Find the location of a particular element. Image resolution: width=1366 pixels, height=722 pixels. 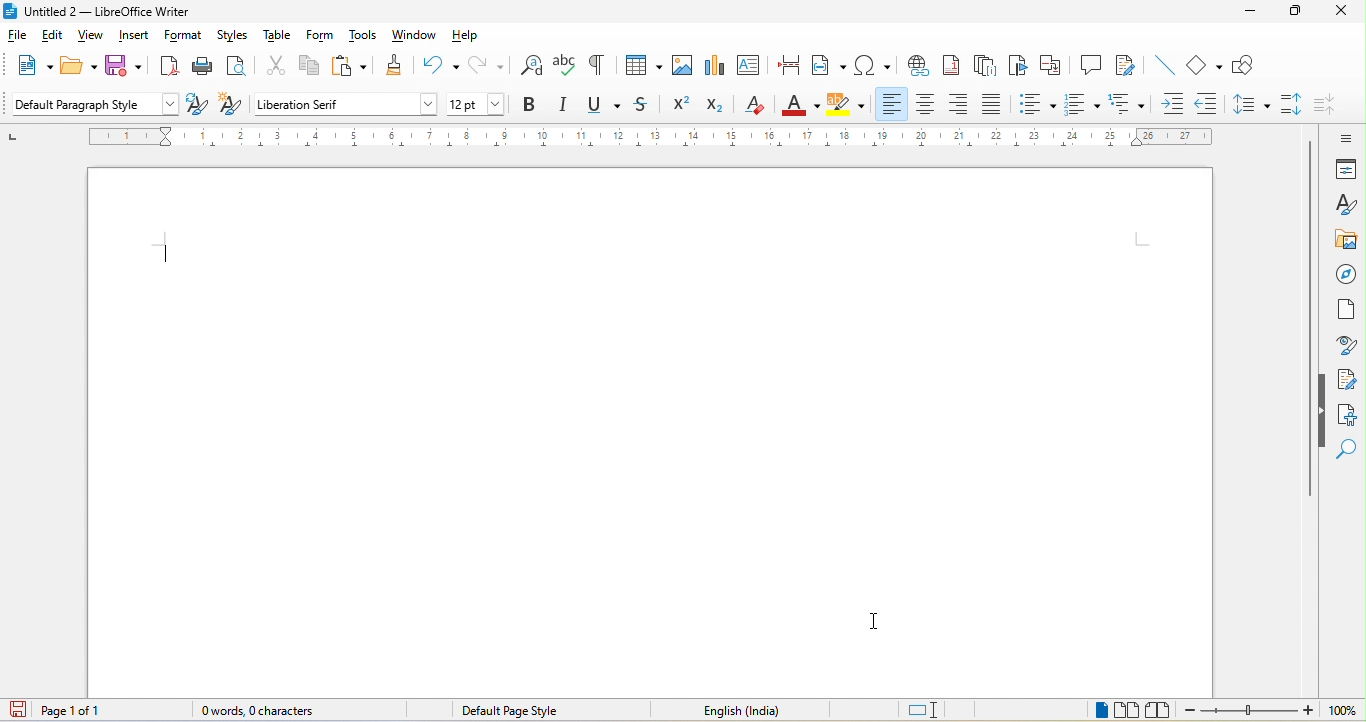

font size is located at coordinates (482, 105).